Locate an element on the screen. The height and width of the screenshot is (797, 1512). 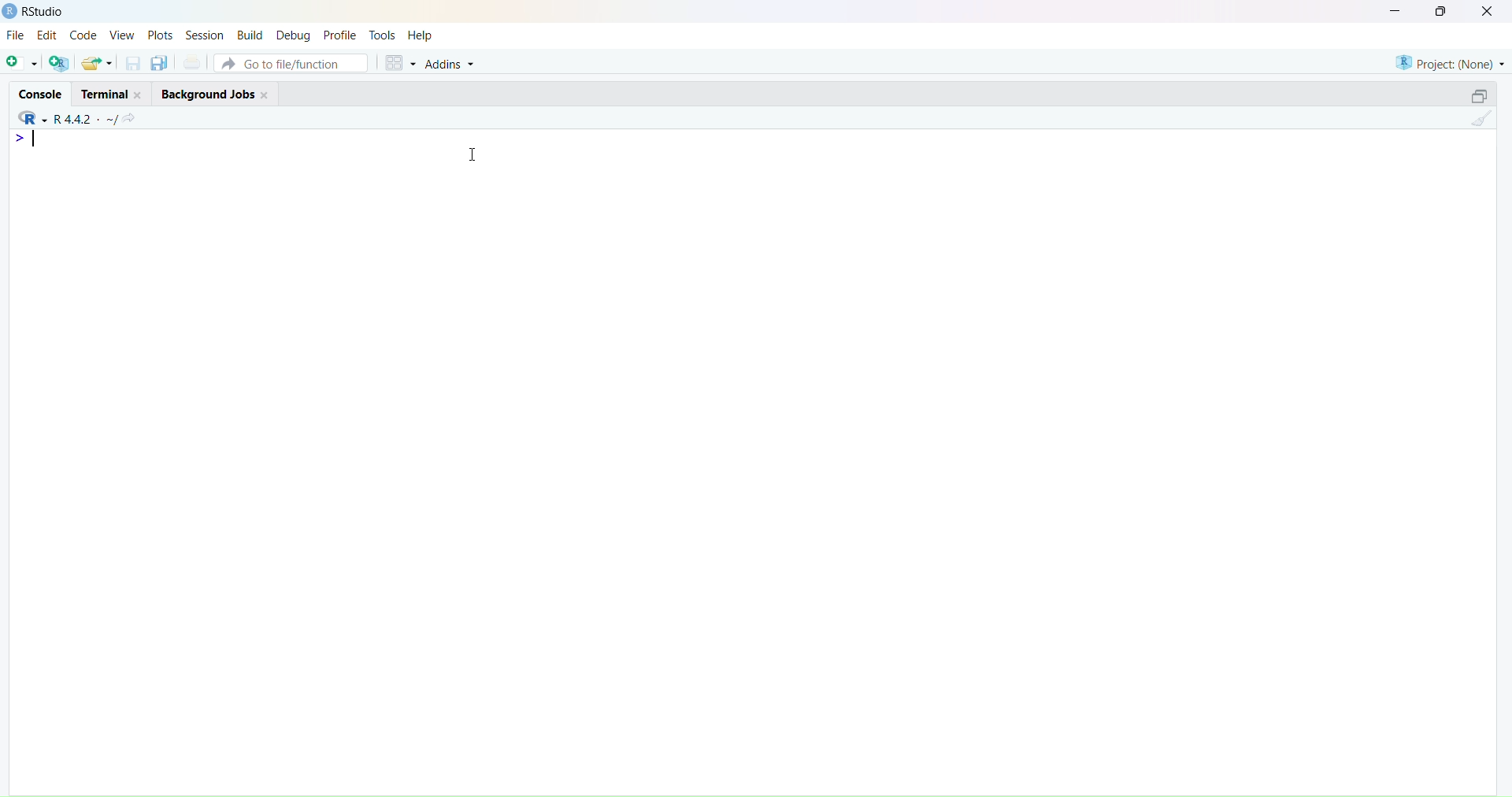
open in separate window is located at coordinates (1479, 95).